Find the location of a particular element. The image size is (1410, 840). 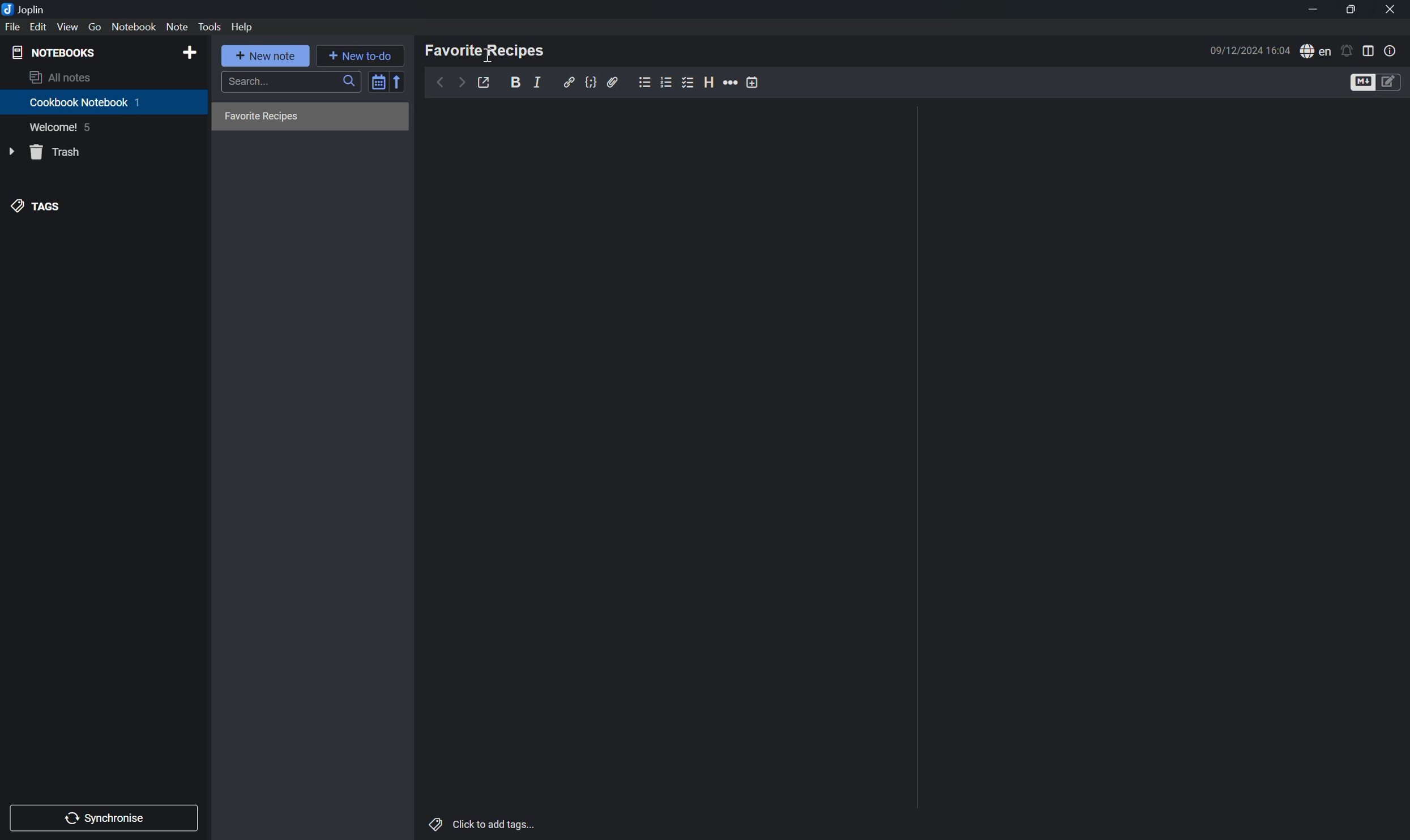

Click to add tags... is located at coordinates (484, 826).